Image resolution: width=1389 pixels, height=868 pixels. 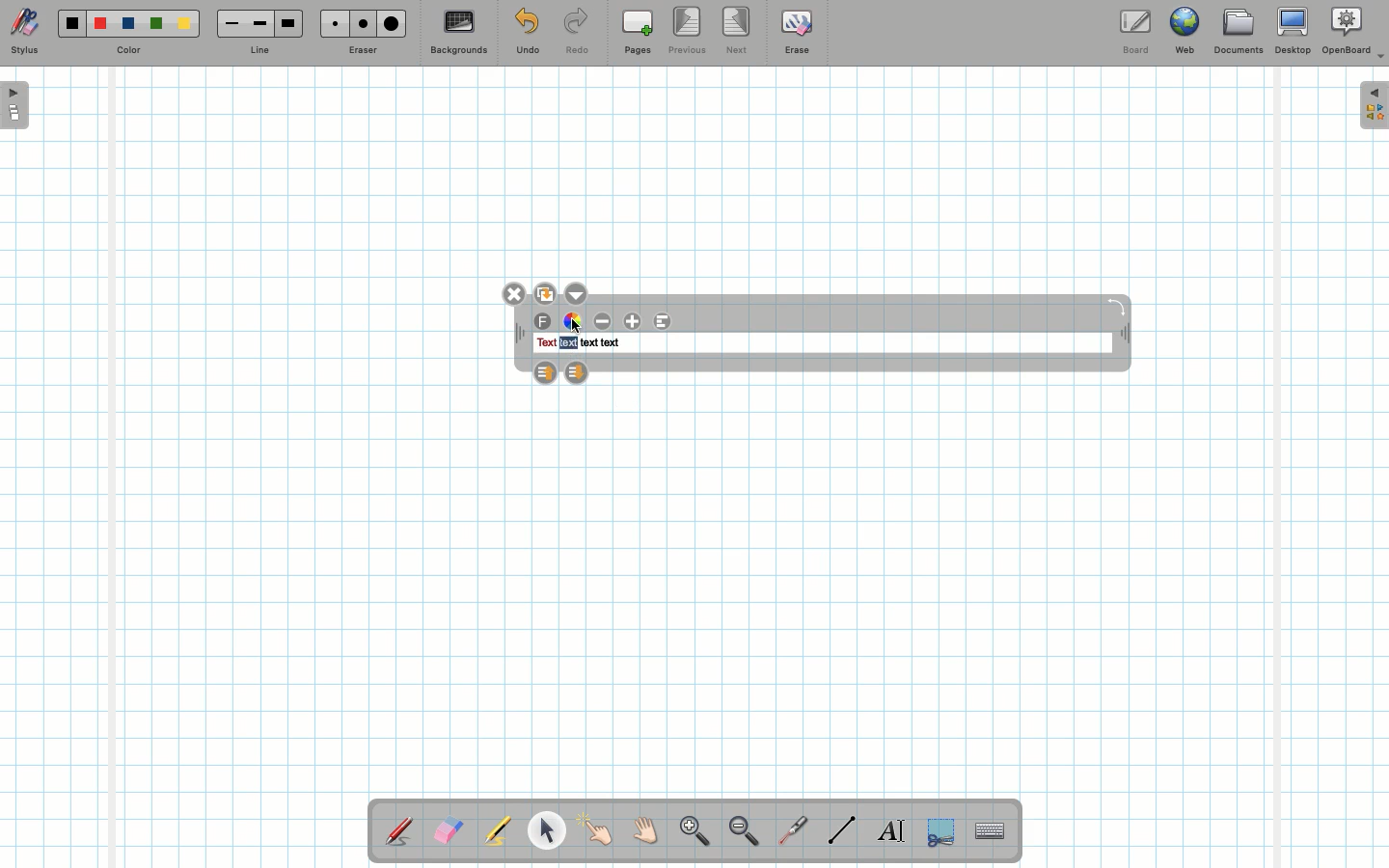 I want to click on Zoom out, so click(x=744, y=832).